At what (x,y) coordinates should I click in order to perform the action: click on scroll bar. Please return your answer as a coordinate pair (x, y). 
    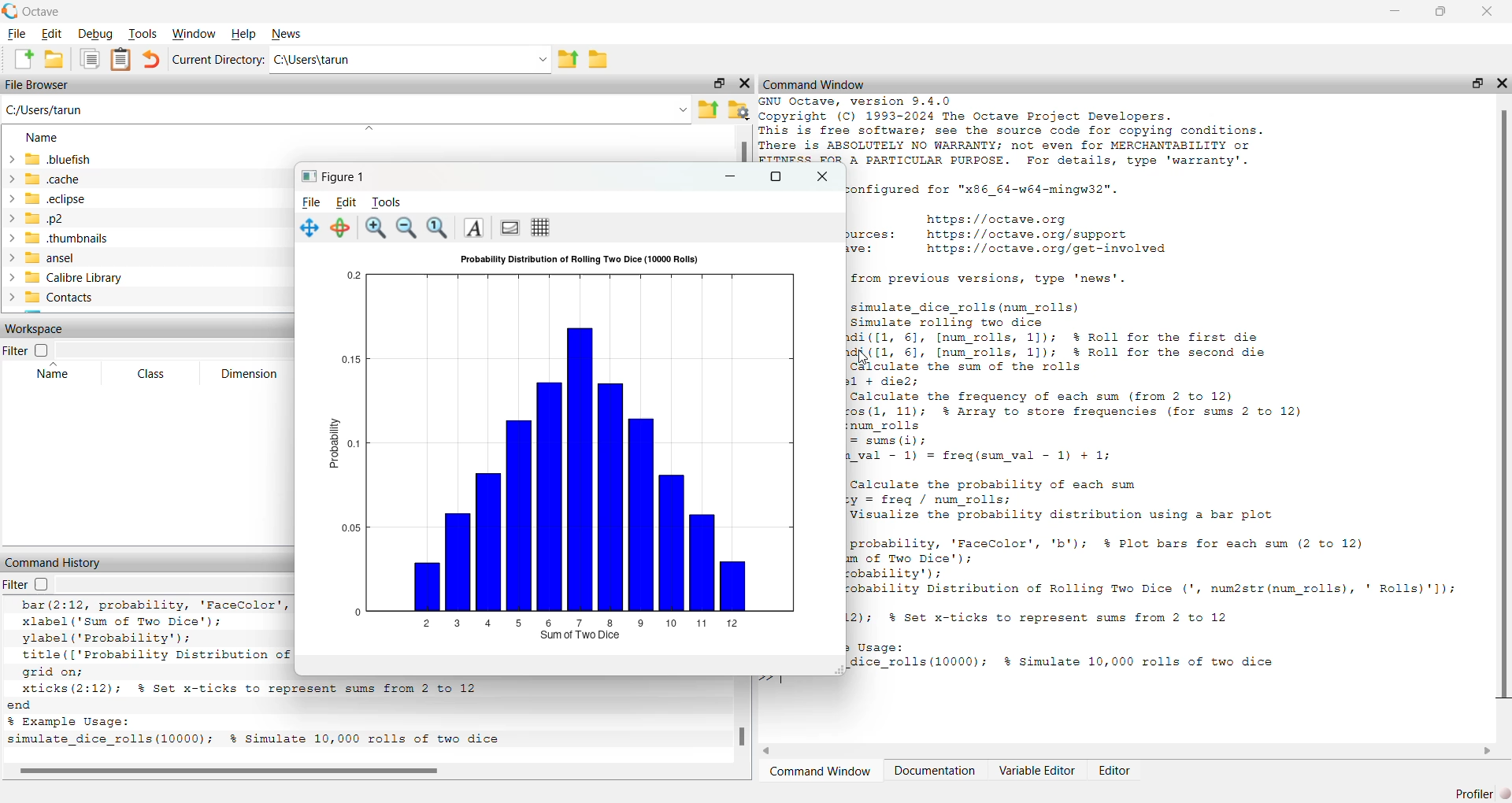
    Looking at the image, I should click on (750, 716).